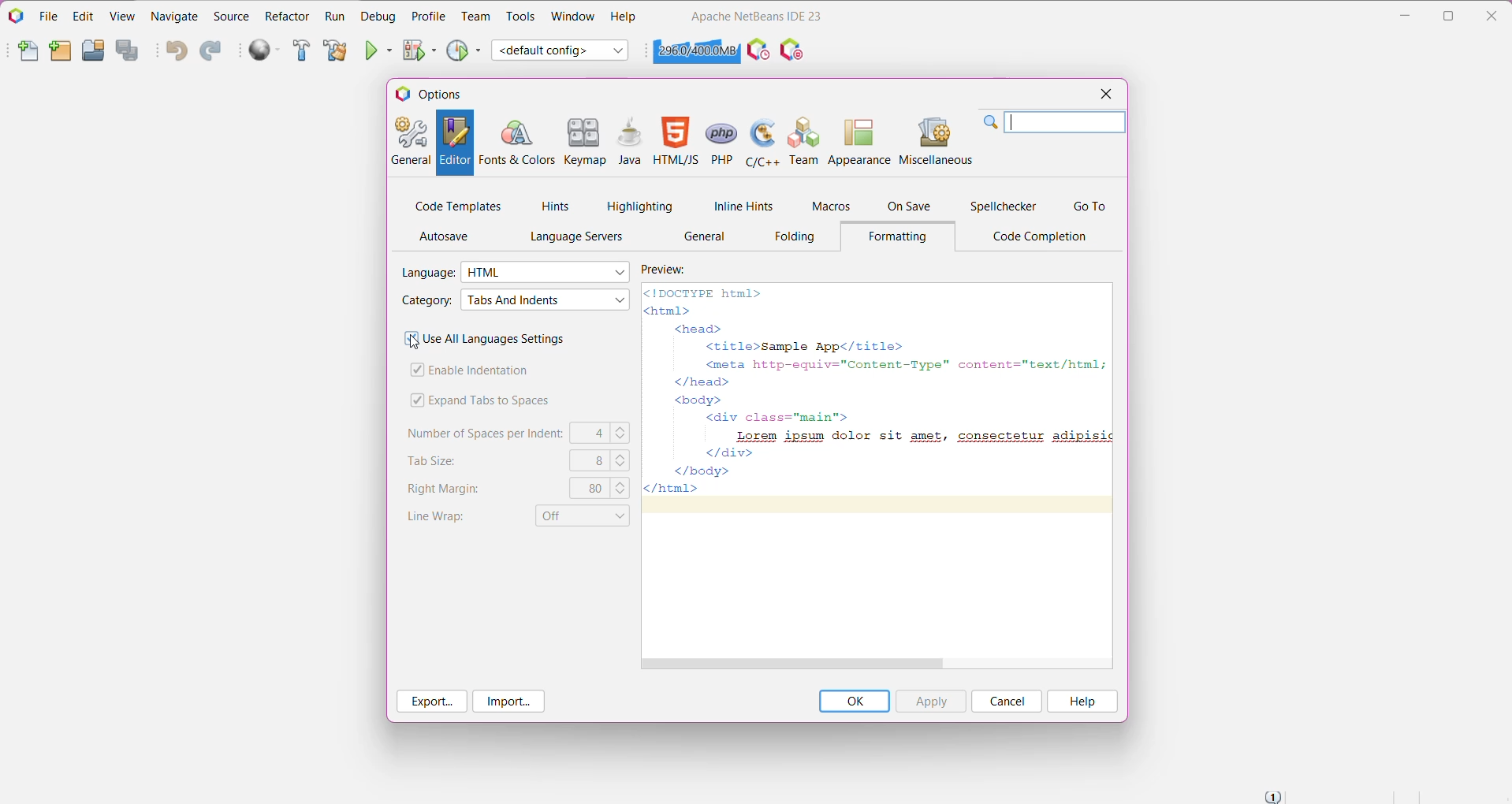 The image size is (1512, 804). I want to click on Tools, so click(518, 17).